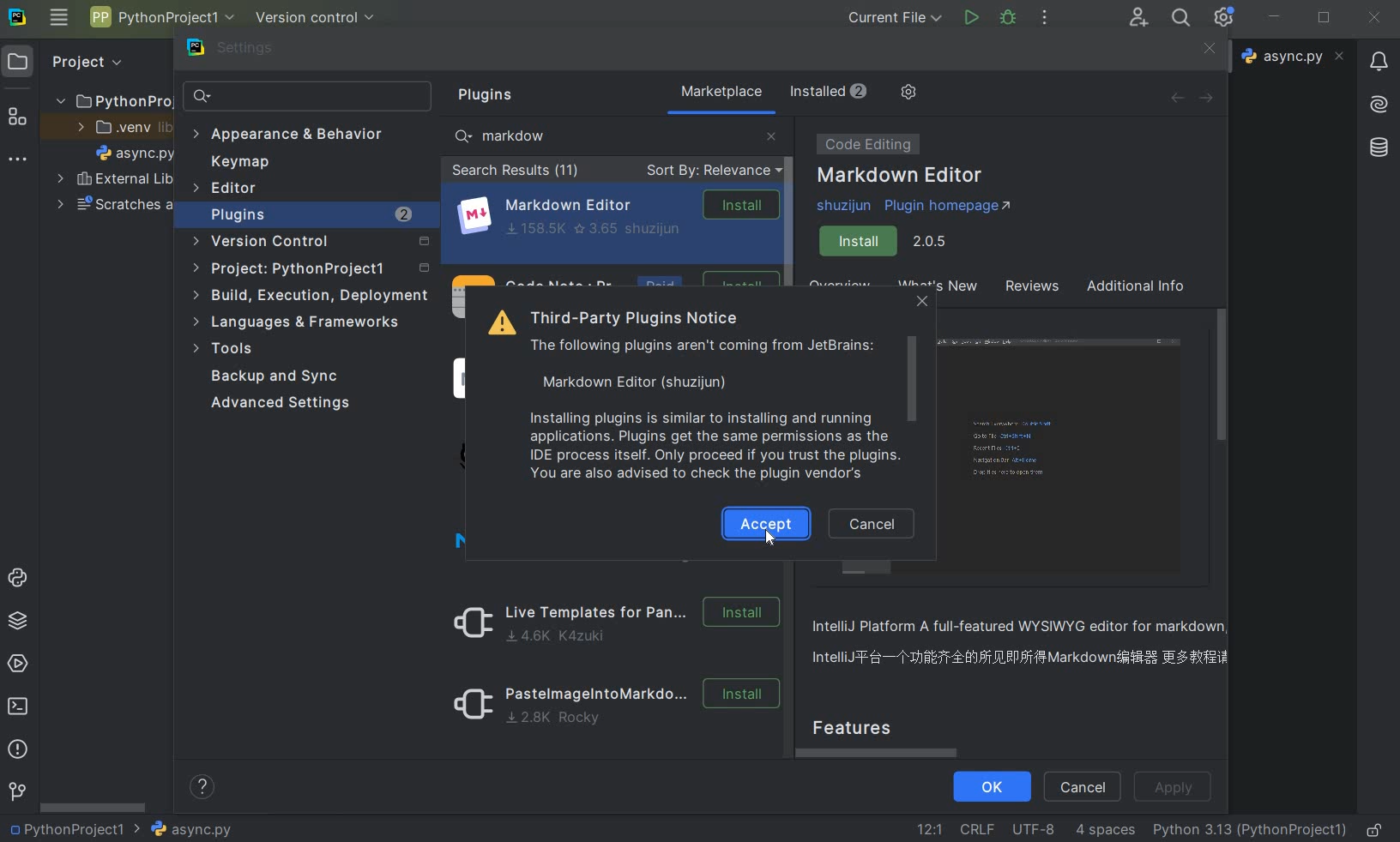 The image size is (1400, 842). I want to click on close, so click(1209, 49).